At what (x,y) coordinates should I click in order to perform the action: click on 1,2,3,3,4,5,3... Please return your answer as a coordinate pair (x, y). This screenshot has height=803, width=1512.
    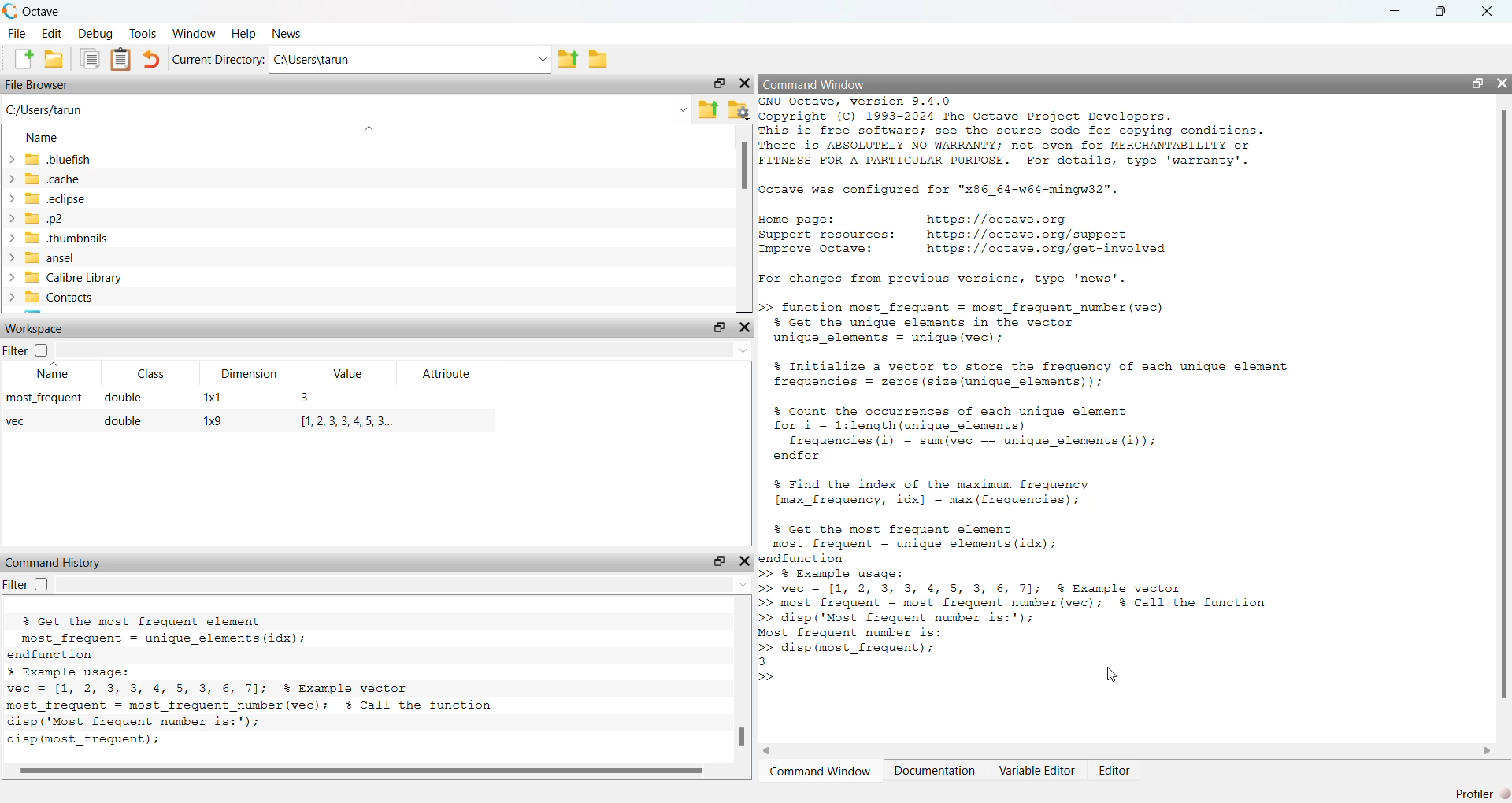
    Looking at the image, I should click on (350, 420).